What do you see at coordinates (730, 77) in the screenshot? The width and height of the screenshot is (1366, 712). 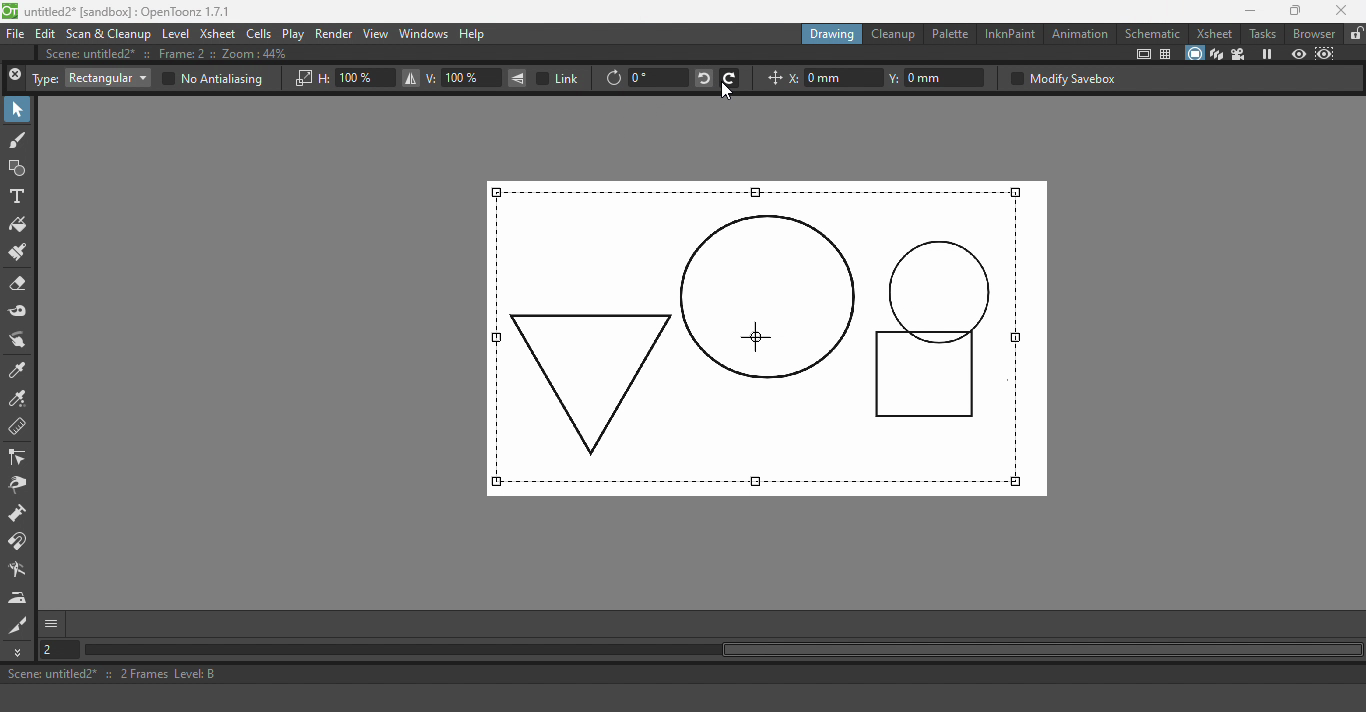 I see `Rotate selection right` at bounding box center [730, 77].